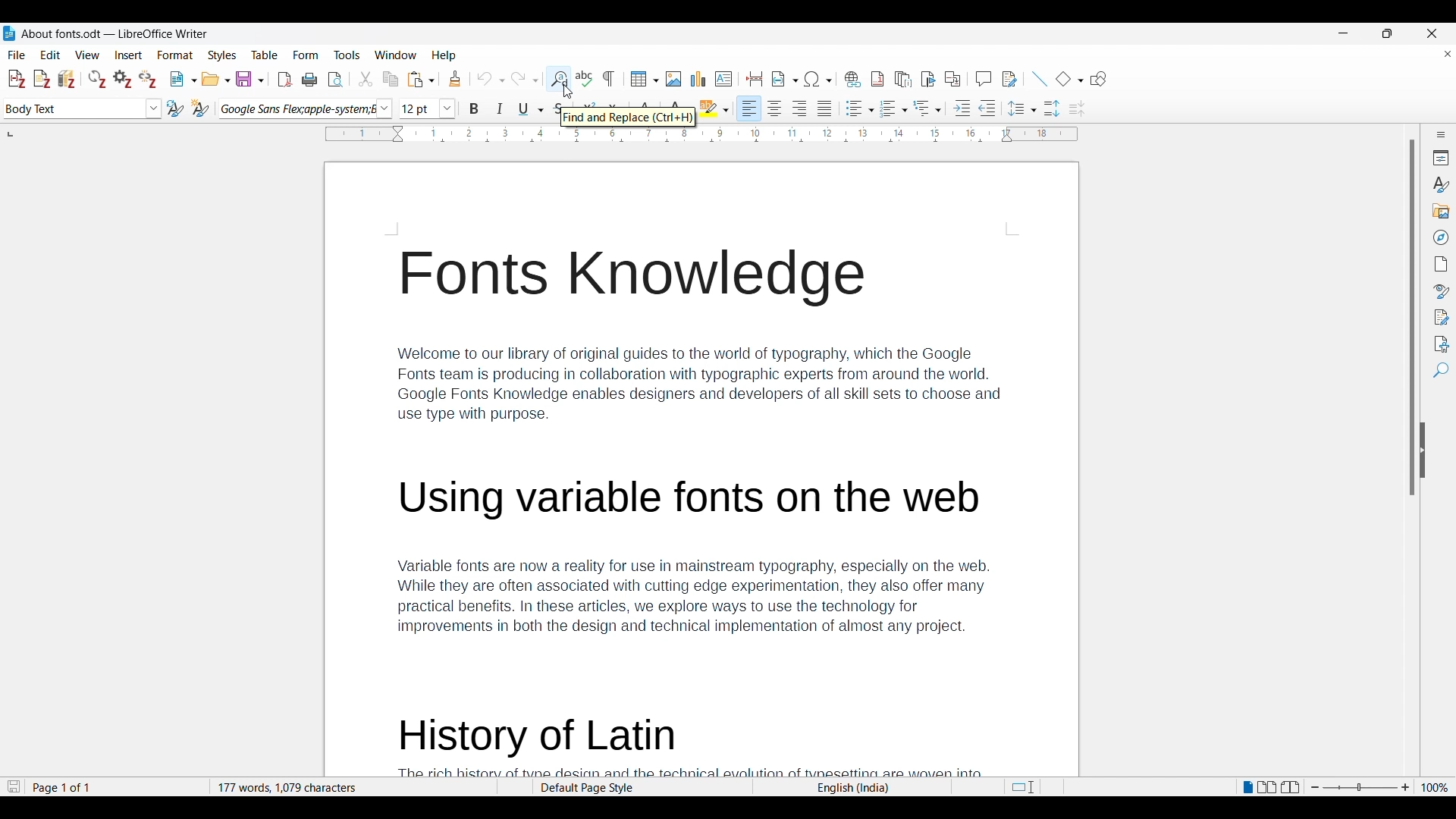 This screenshot has width=1456, height=819. Describe the element at coordinates (904, 79) in the screenshot. I see `Insert endnote` at that location.